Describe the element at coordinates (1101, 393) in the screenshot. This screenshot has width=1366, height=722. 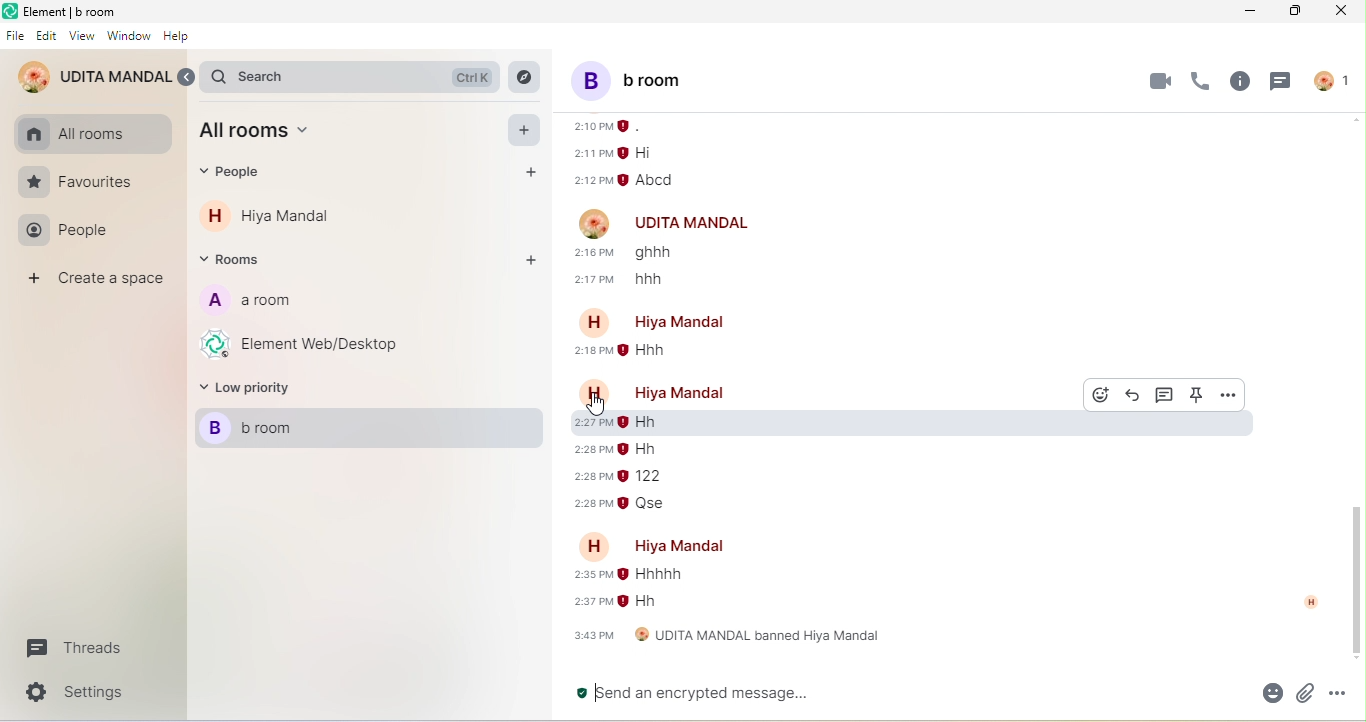
I see `react` at that location.